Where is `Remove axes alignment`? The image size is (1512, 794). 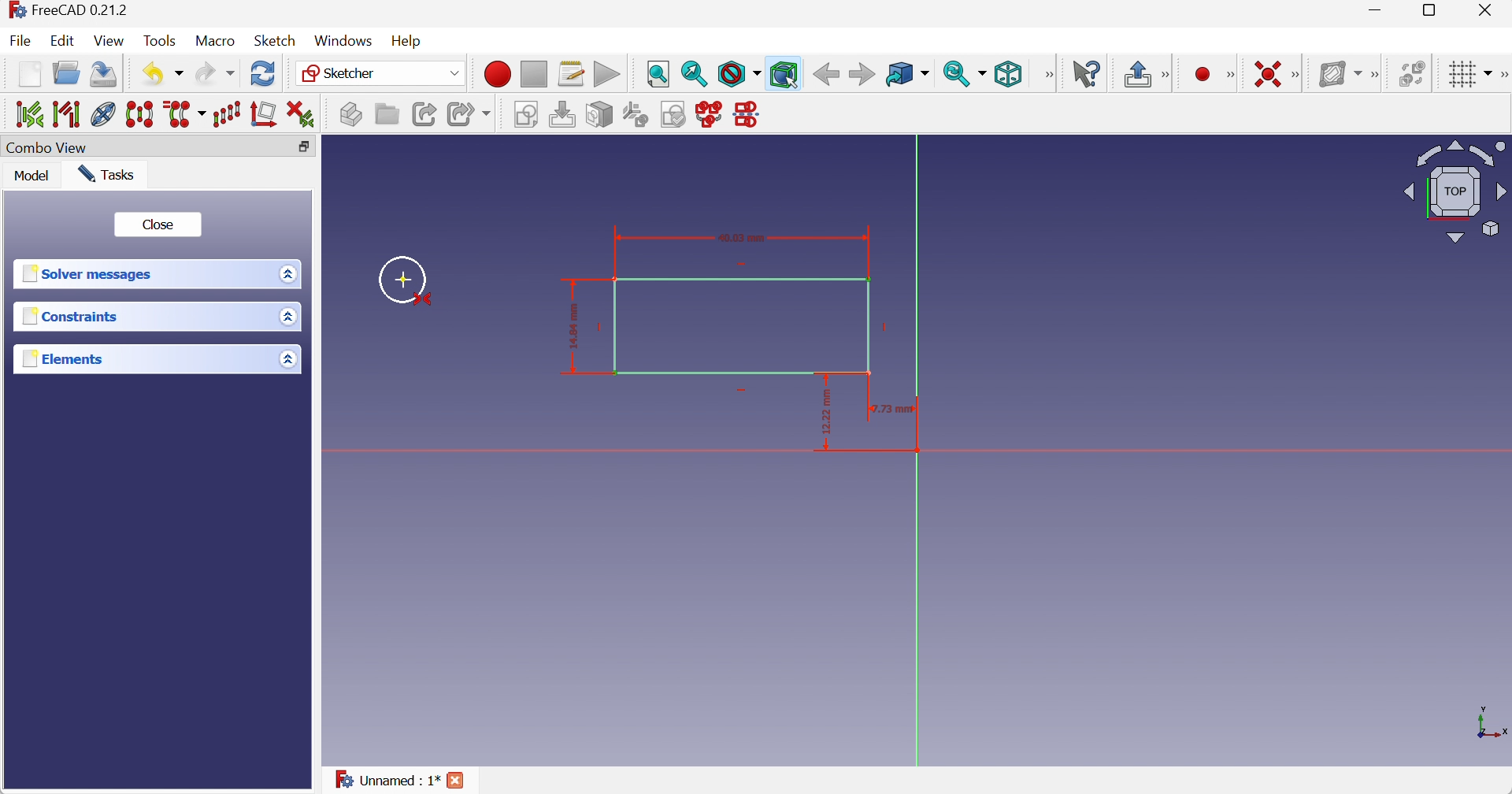
Remove axes alignment is located at coordinates (264, 114).